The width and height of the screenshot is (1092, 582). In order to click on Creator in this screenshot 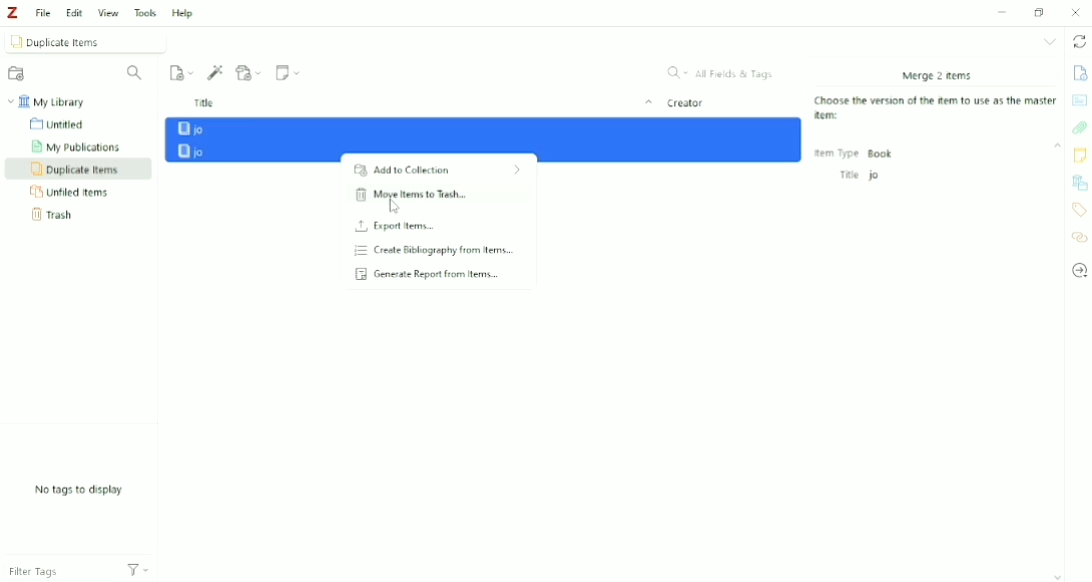, I will do `click(686, 103)`.